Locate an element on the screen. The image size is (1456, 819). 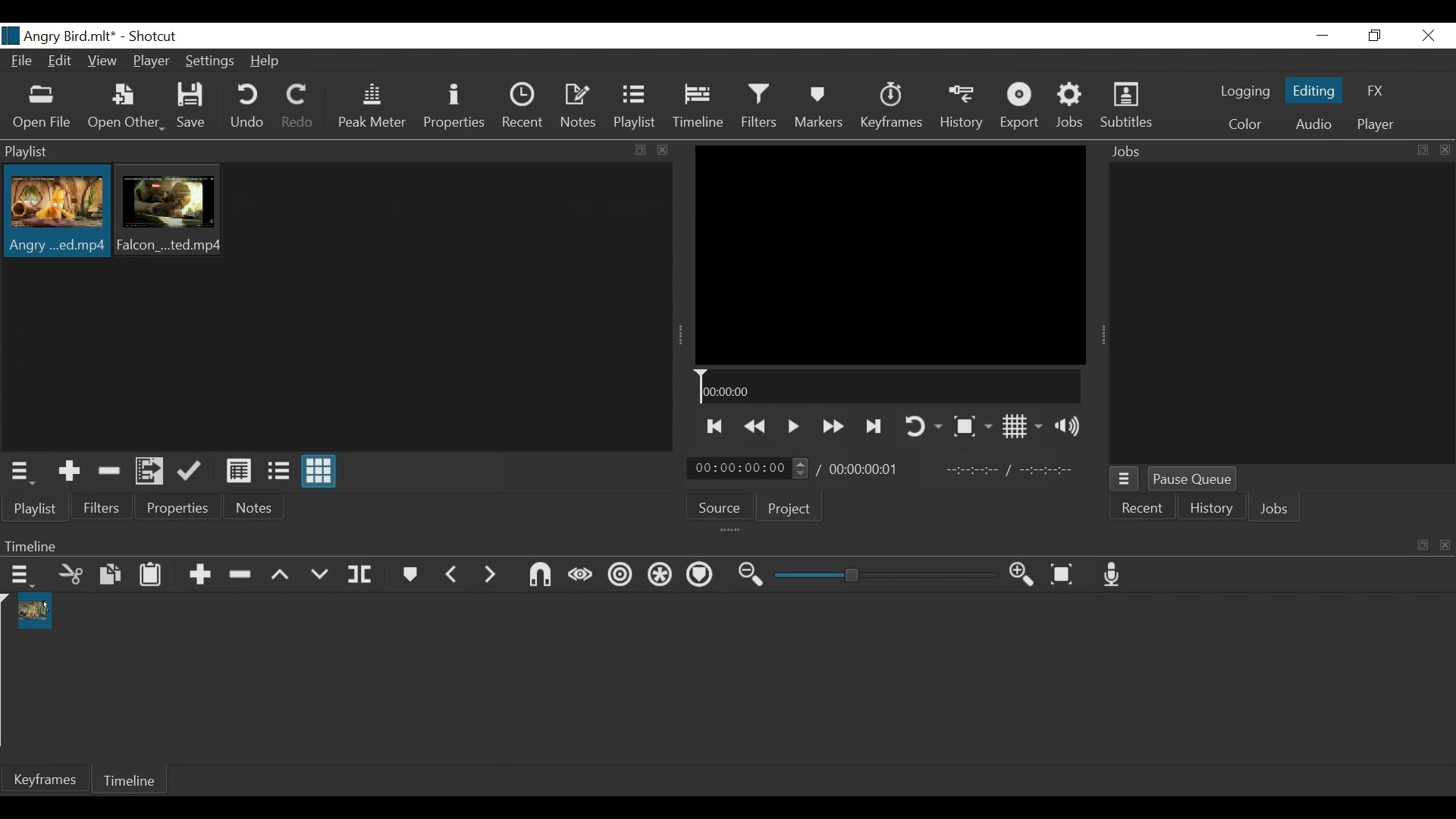
Ripple Markers is located at coordinates (702, 578).